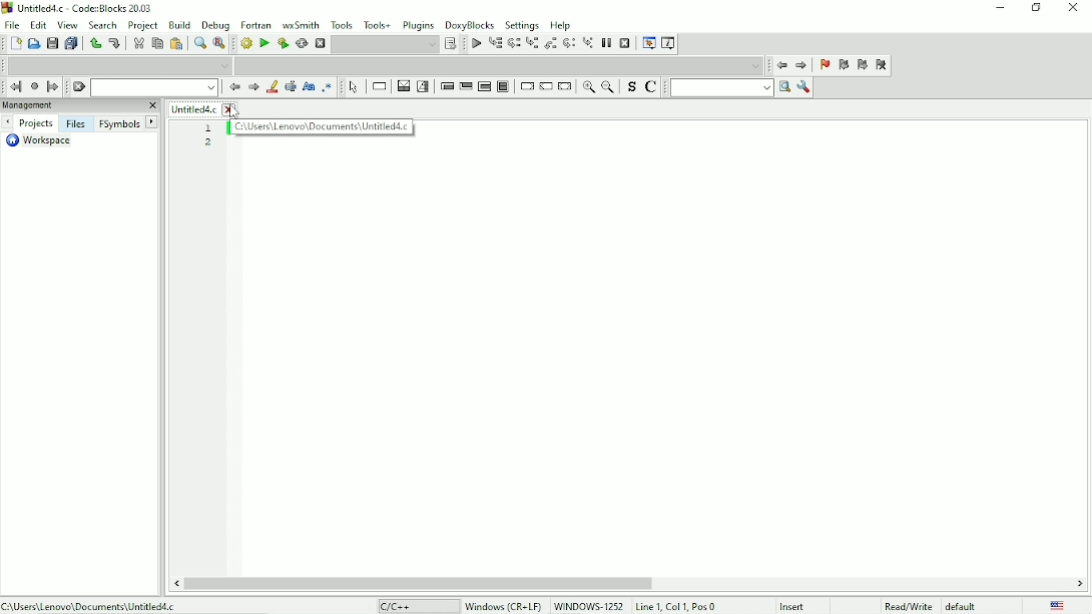  I want to click on Break debugger, so click(607, 43).